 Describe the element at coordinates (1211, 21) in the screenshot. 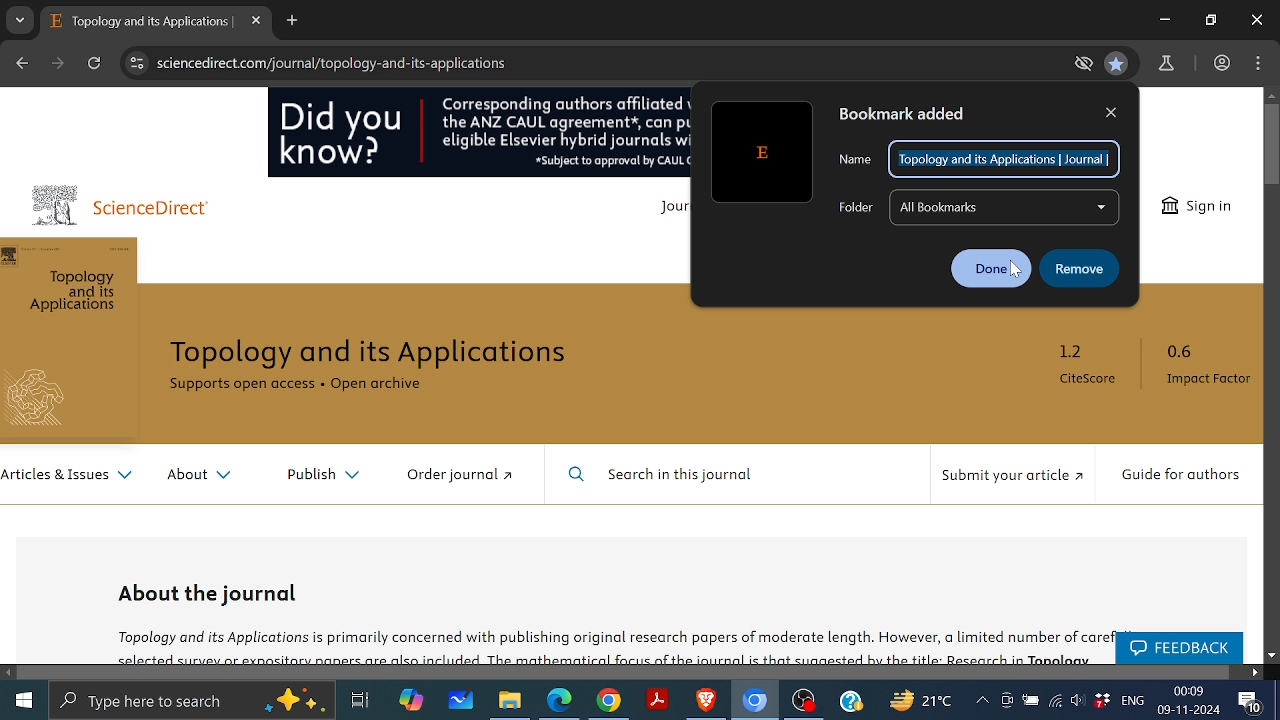

I see `maximize` at that location.